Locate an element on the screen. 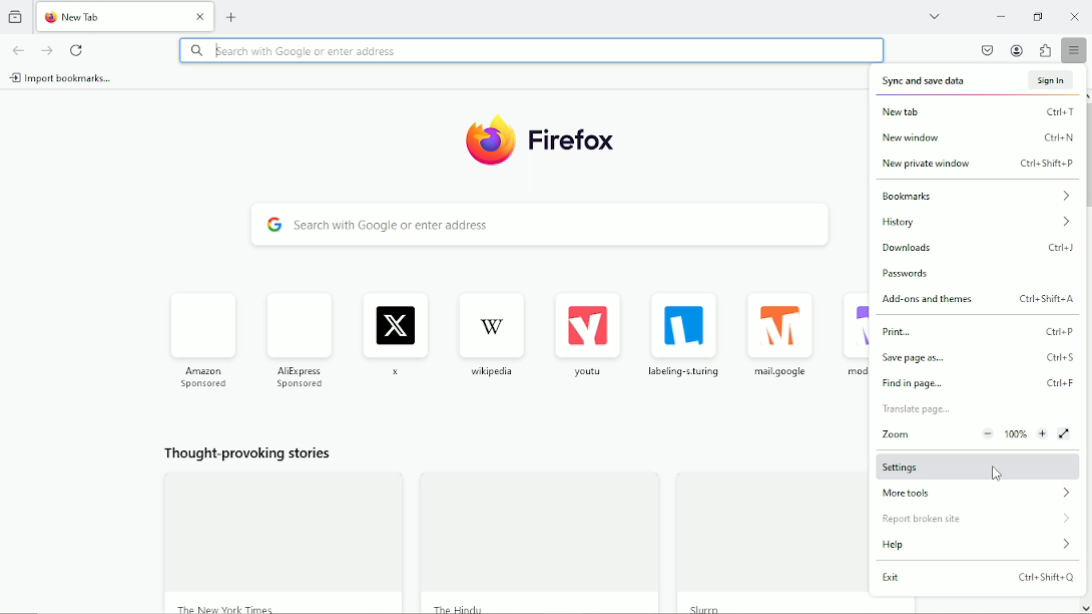 The image size is (1092, 614). List all tabs is located at coordinates (936, 16).